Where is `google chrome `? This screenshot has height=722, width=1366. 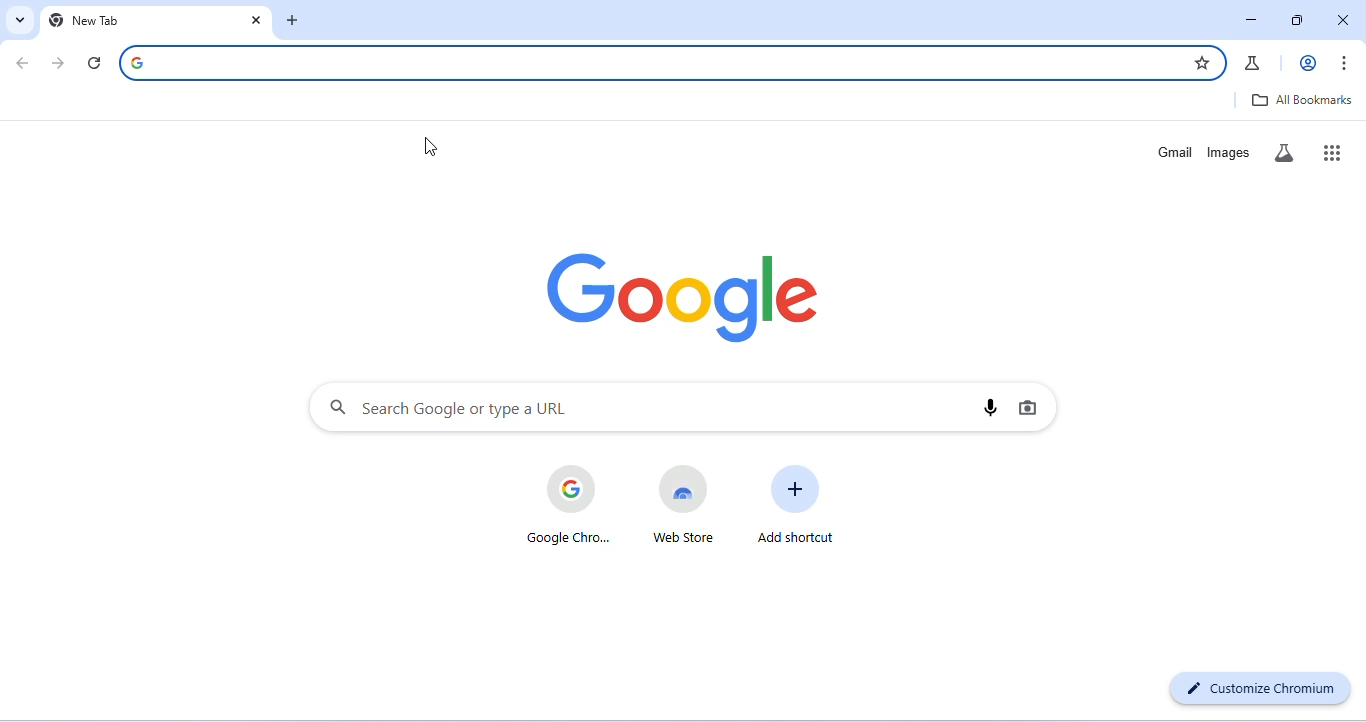 google chrome  is located at coordinates (568, 504).